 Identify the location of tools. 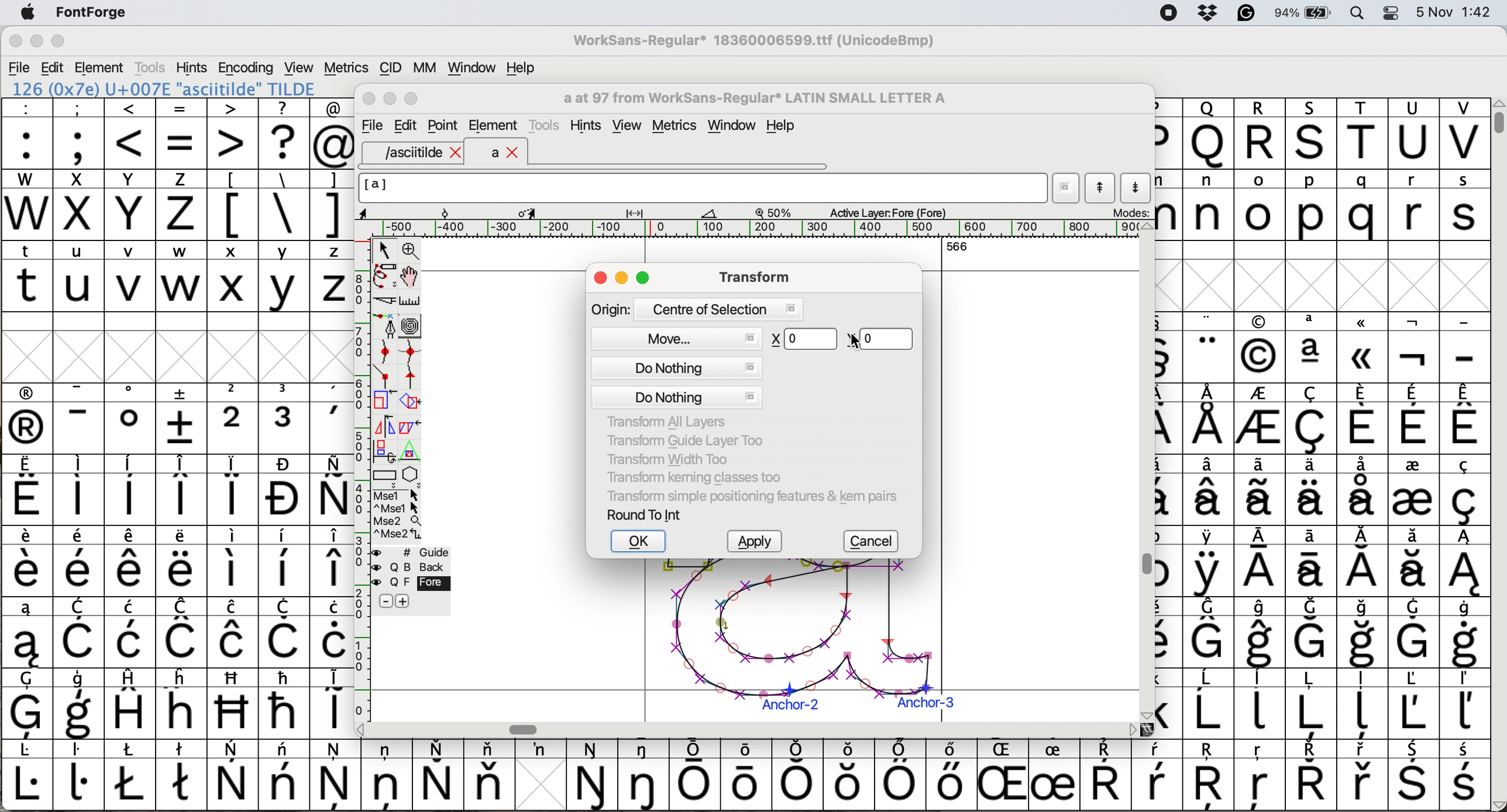
(546, 123).